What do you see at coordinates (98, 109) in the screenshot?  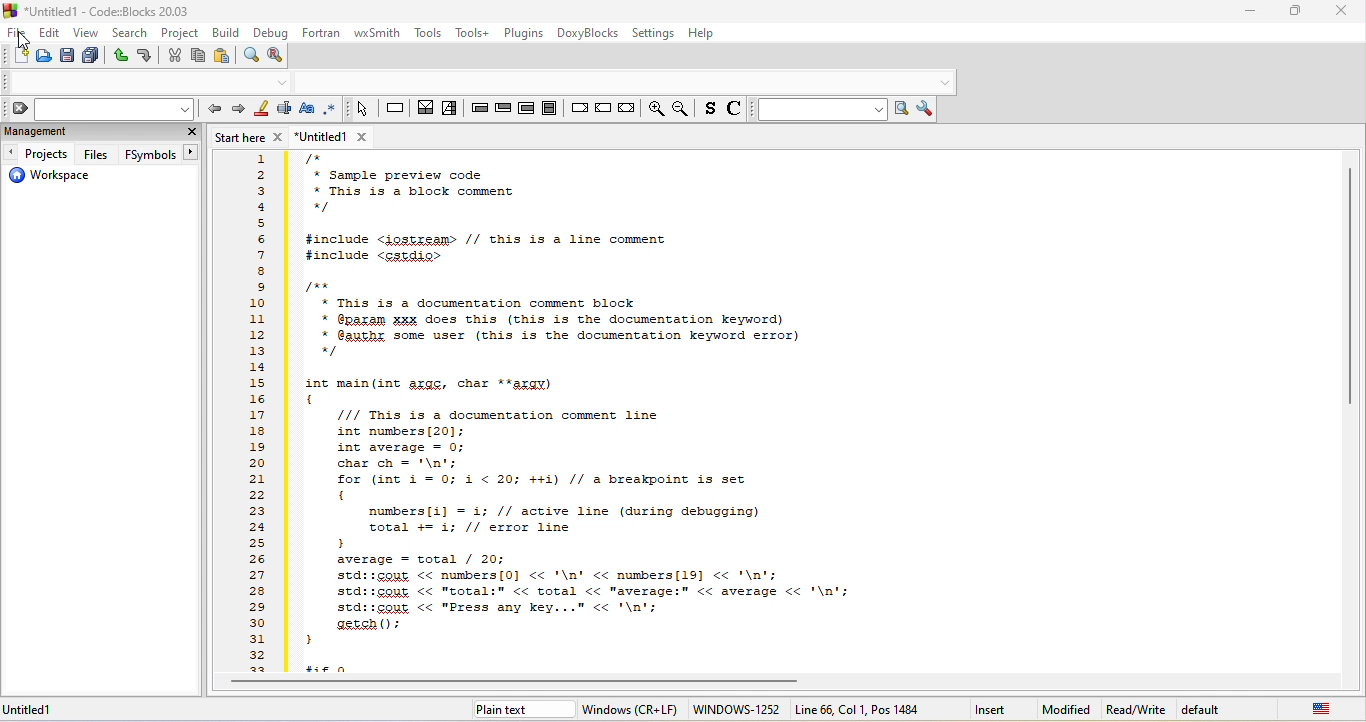 I see `clear` at bounding box center [98, 109].